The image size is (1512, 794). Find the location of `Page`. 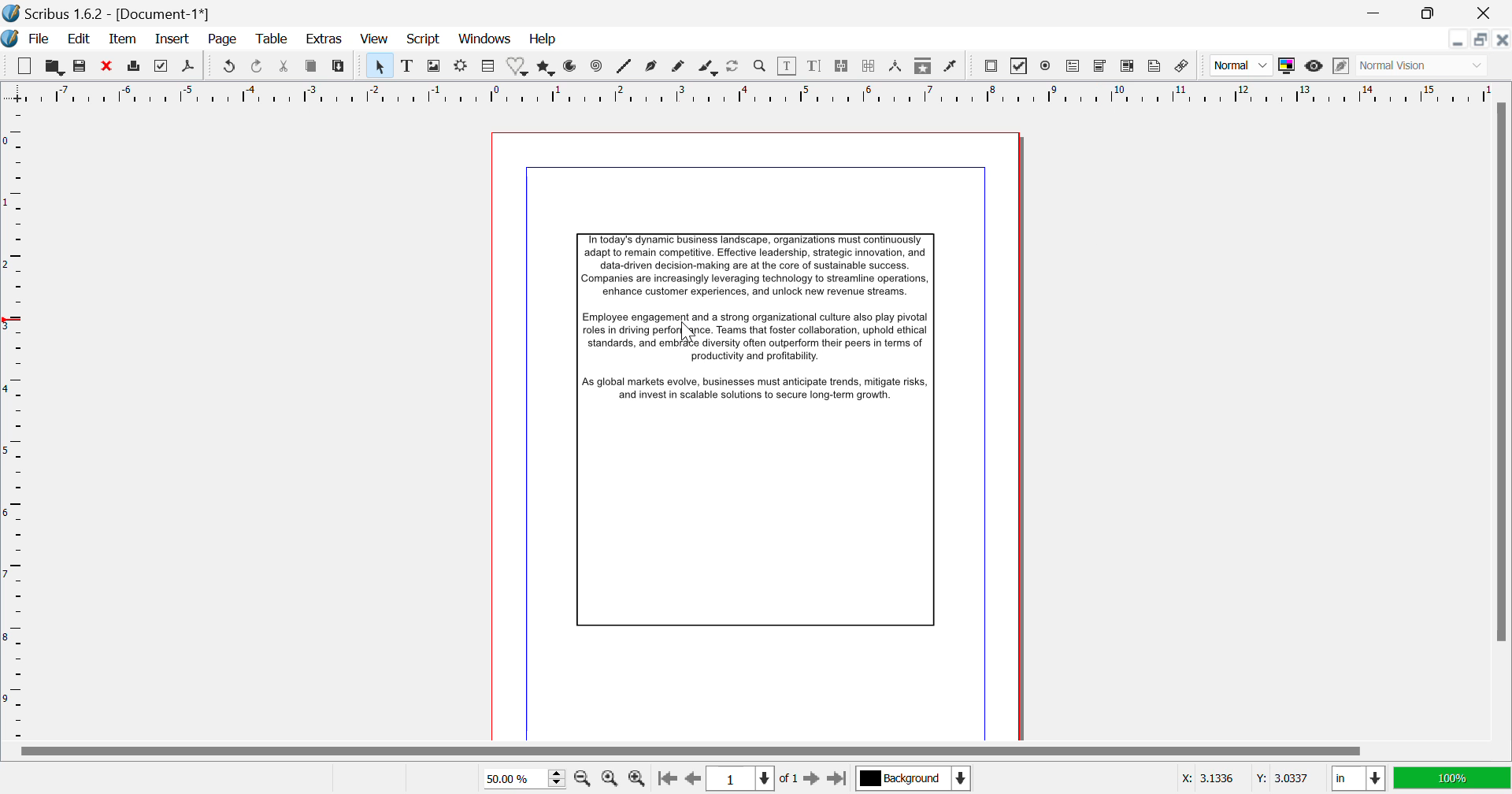

Page is located at coordinates (223, 41).